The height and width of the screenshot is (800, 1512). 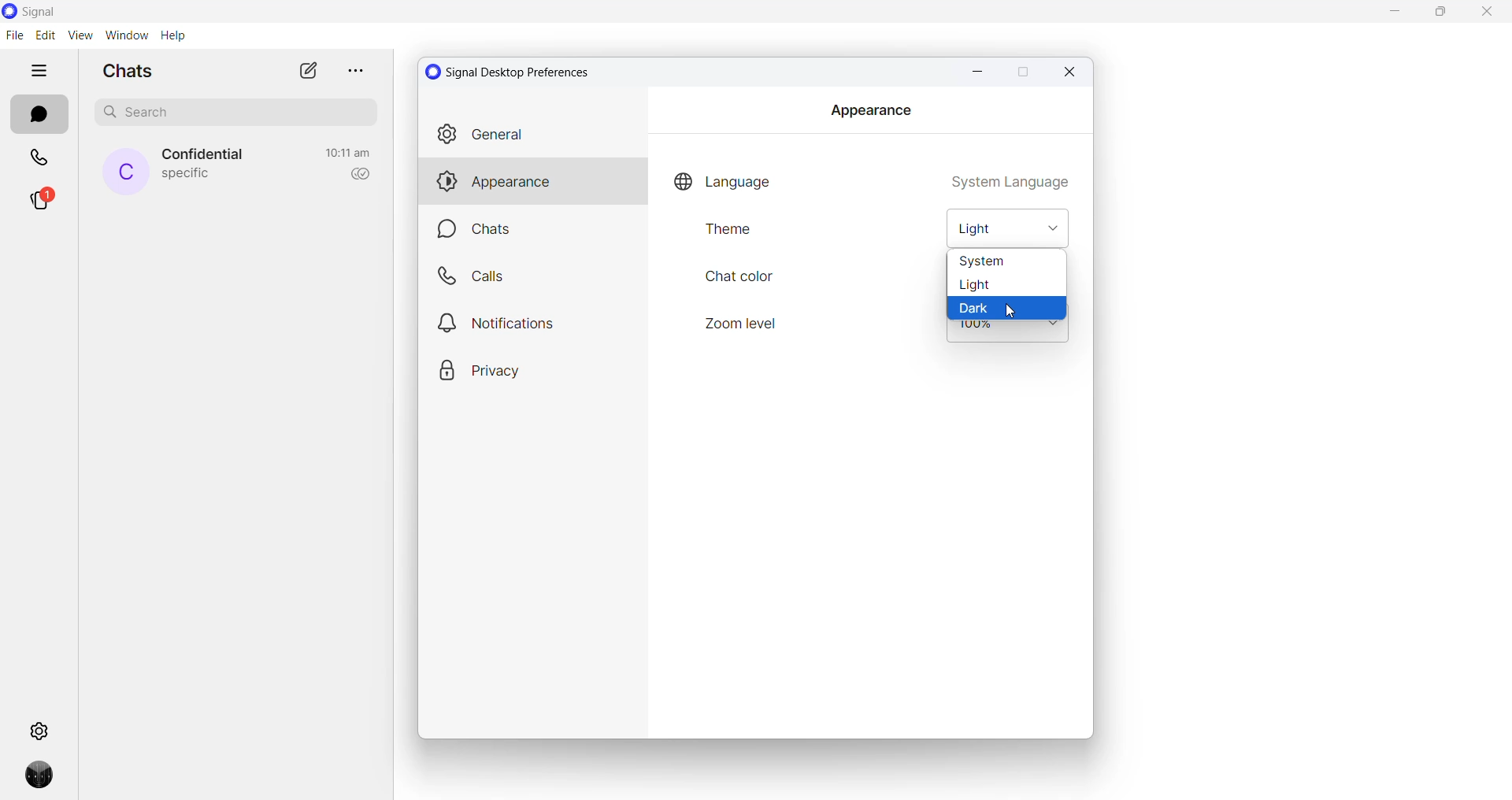 I want to click on more options, so click(x=353, y=70).